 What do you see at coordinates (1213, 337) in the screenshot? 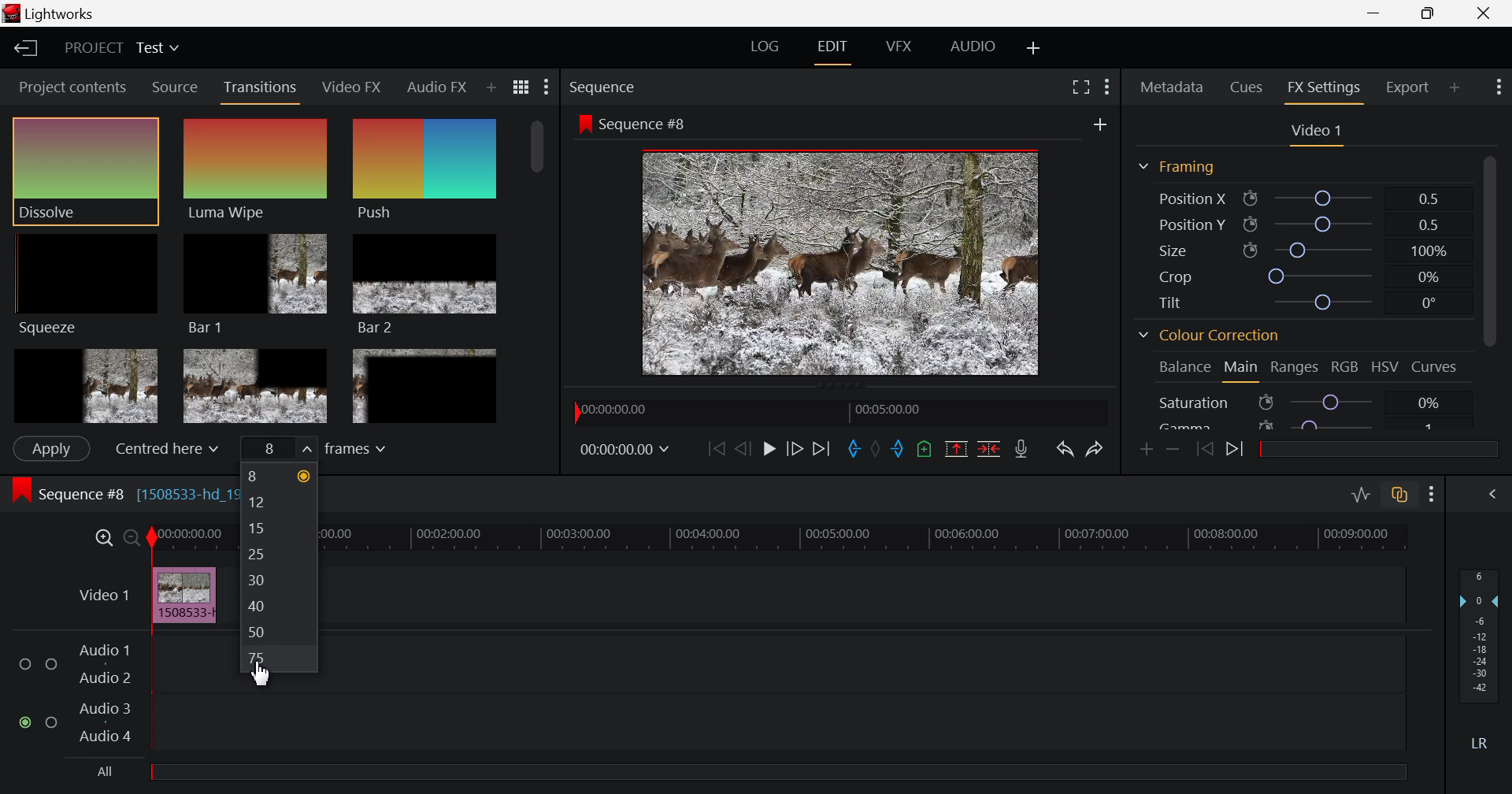
I see `Colour Correction` at bounding box center [1213, 337].